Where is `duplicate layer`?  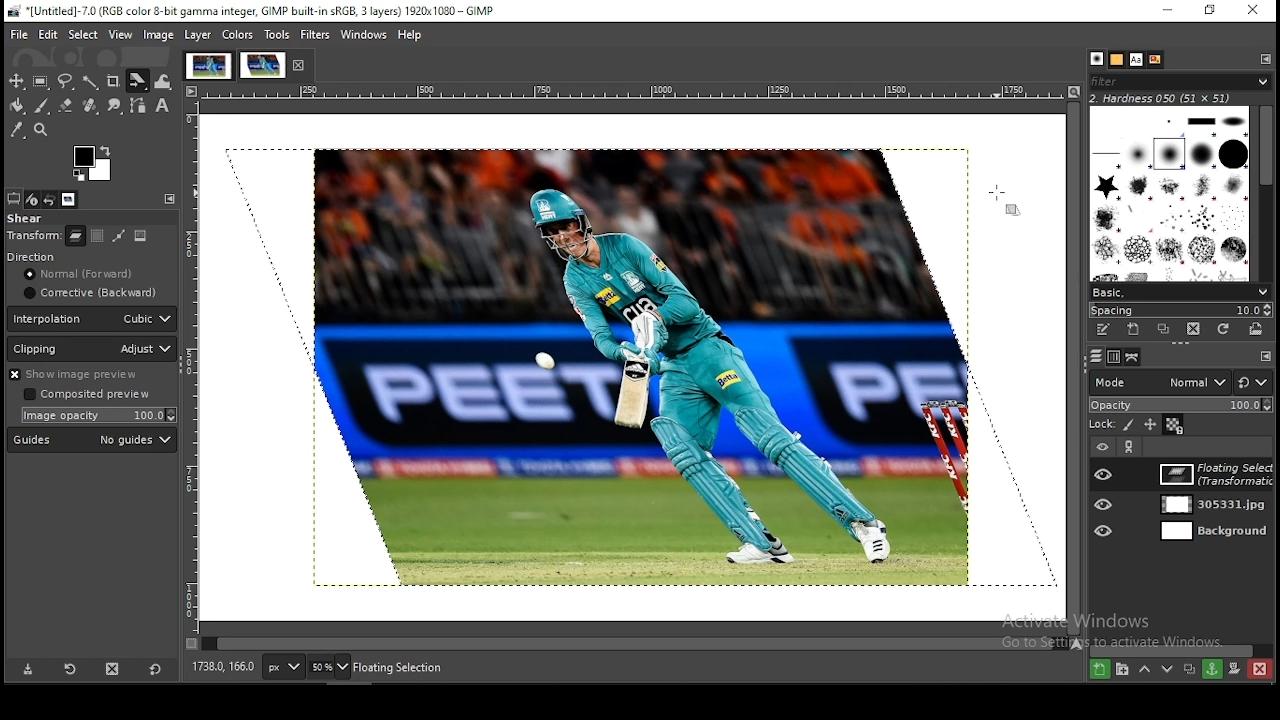
duplicate layer is located at coordinates (1189, 669).